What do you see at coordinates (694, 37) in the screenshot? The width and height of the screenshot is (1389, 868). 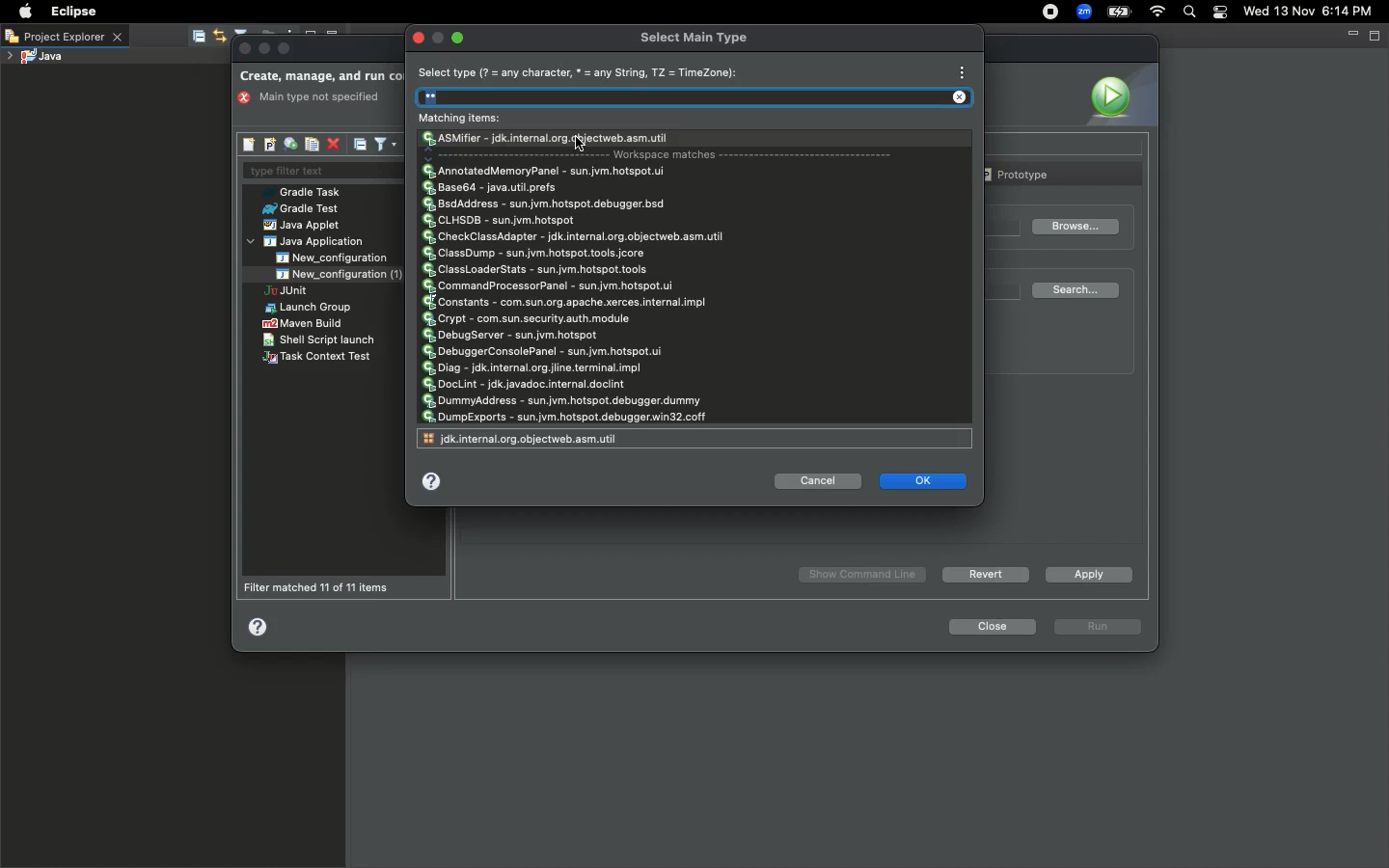 I see `Select main type` at bounding box center [694, 37].